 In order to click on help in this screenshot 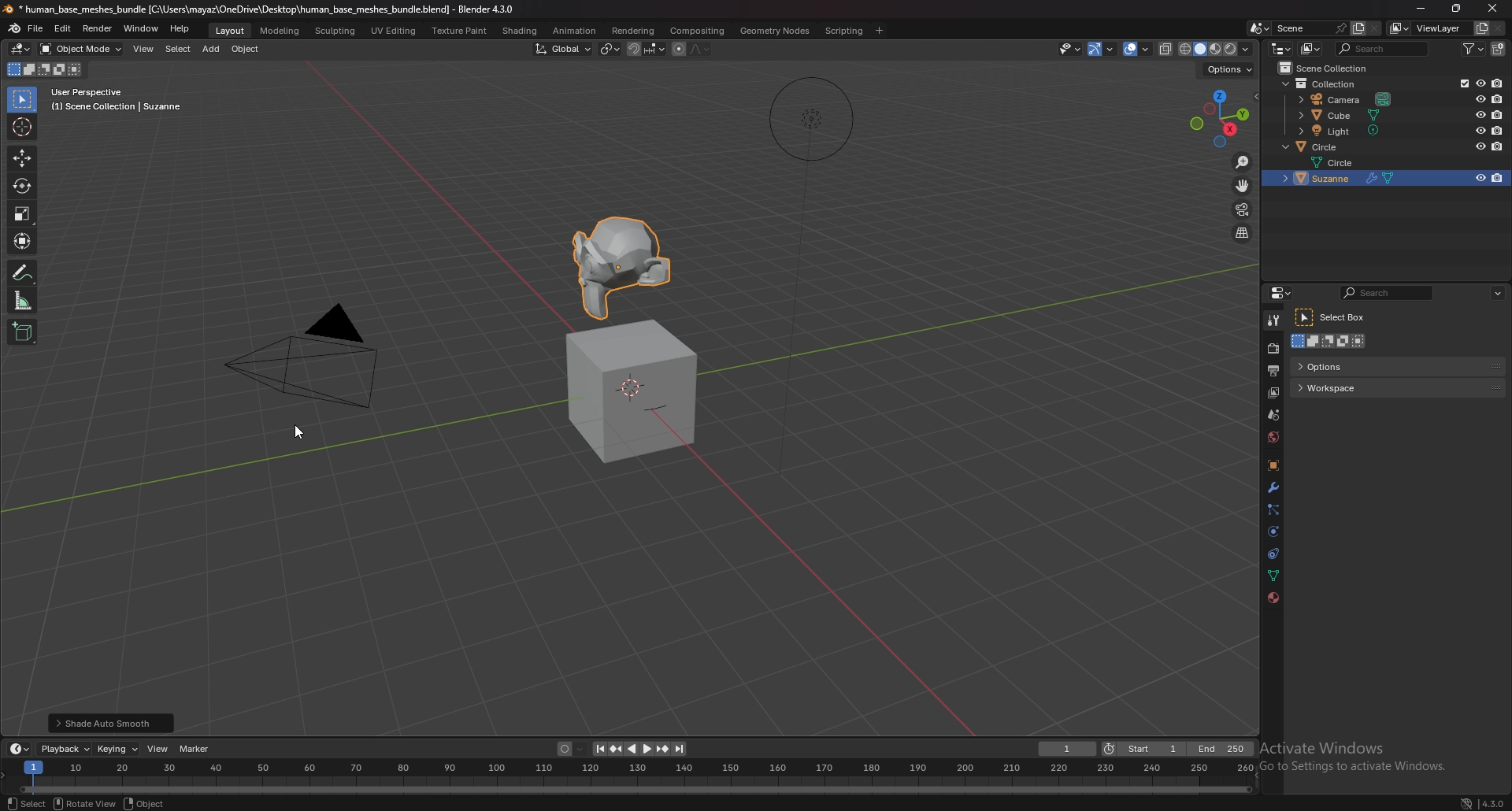, I will do `click(180, 29)`.